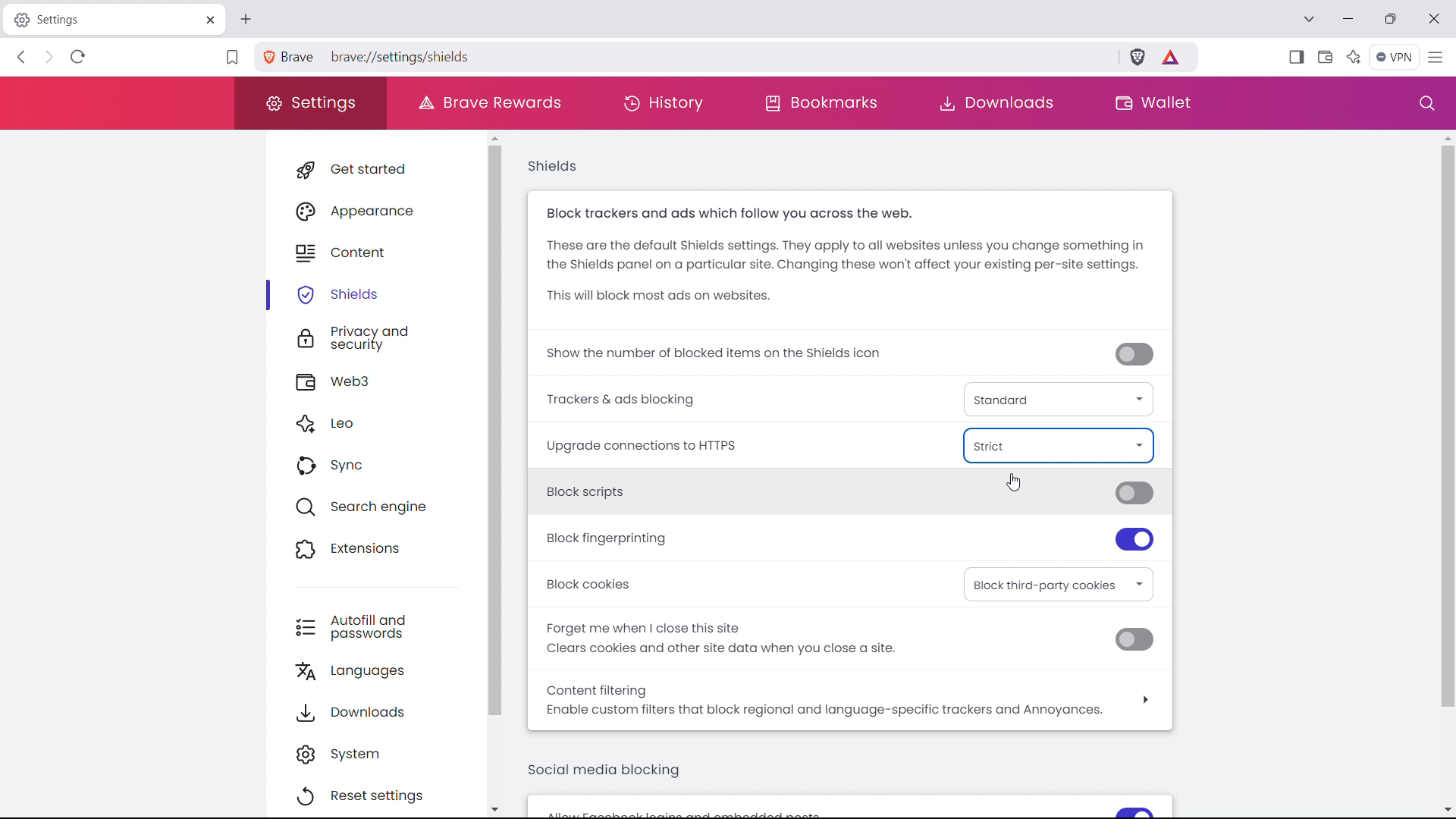 This screenshot has height=819, width=1456. What do you see at coordinates (379, 796) in the screenshot?
I see `reset settings` at bounding box center [379, 796].